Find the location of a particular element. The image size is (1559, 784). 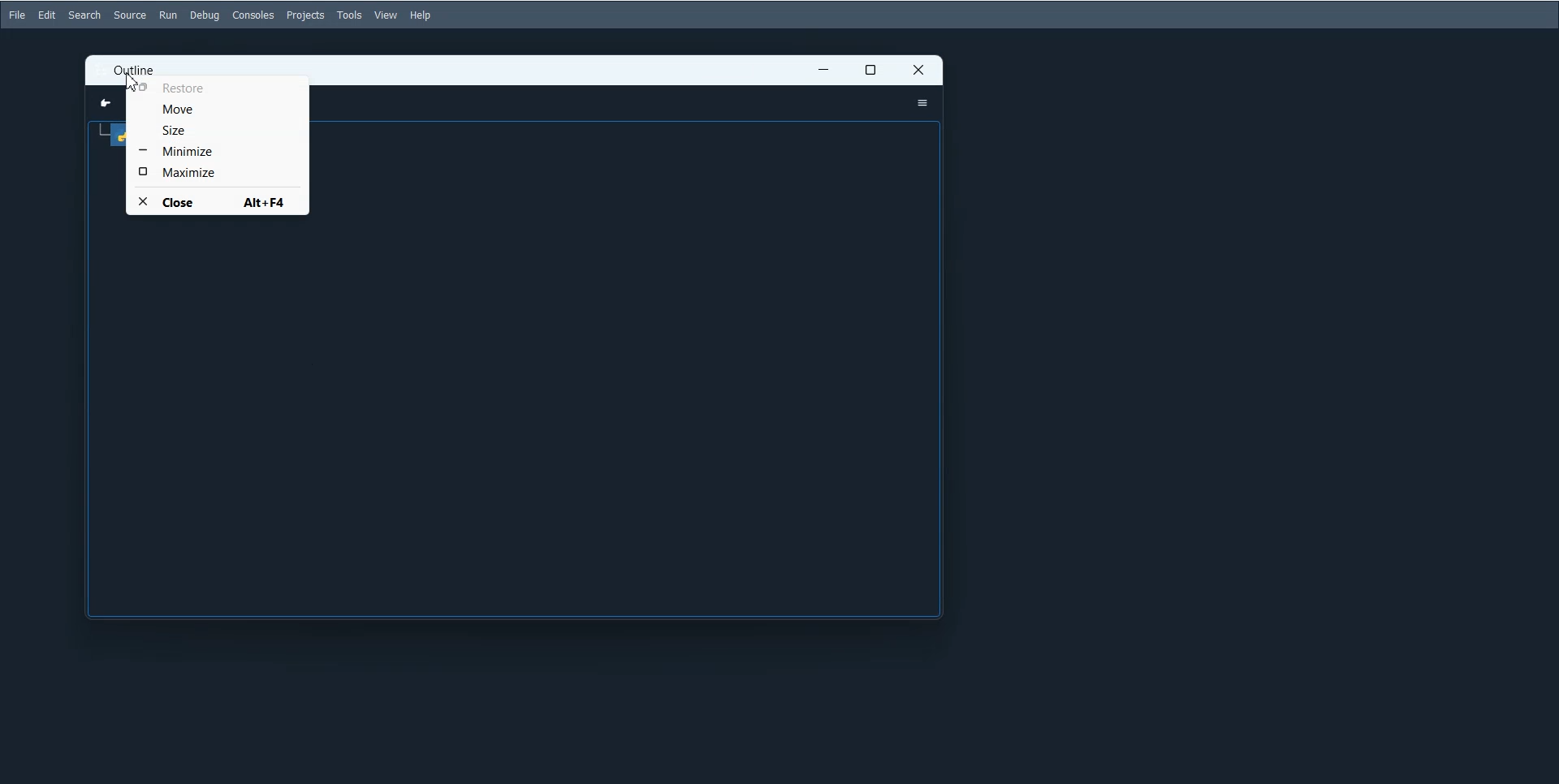

Move is located at coordinates (218, 109).